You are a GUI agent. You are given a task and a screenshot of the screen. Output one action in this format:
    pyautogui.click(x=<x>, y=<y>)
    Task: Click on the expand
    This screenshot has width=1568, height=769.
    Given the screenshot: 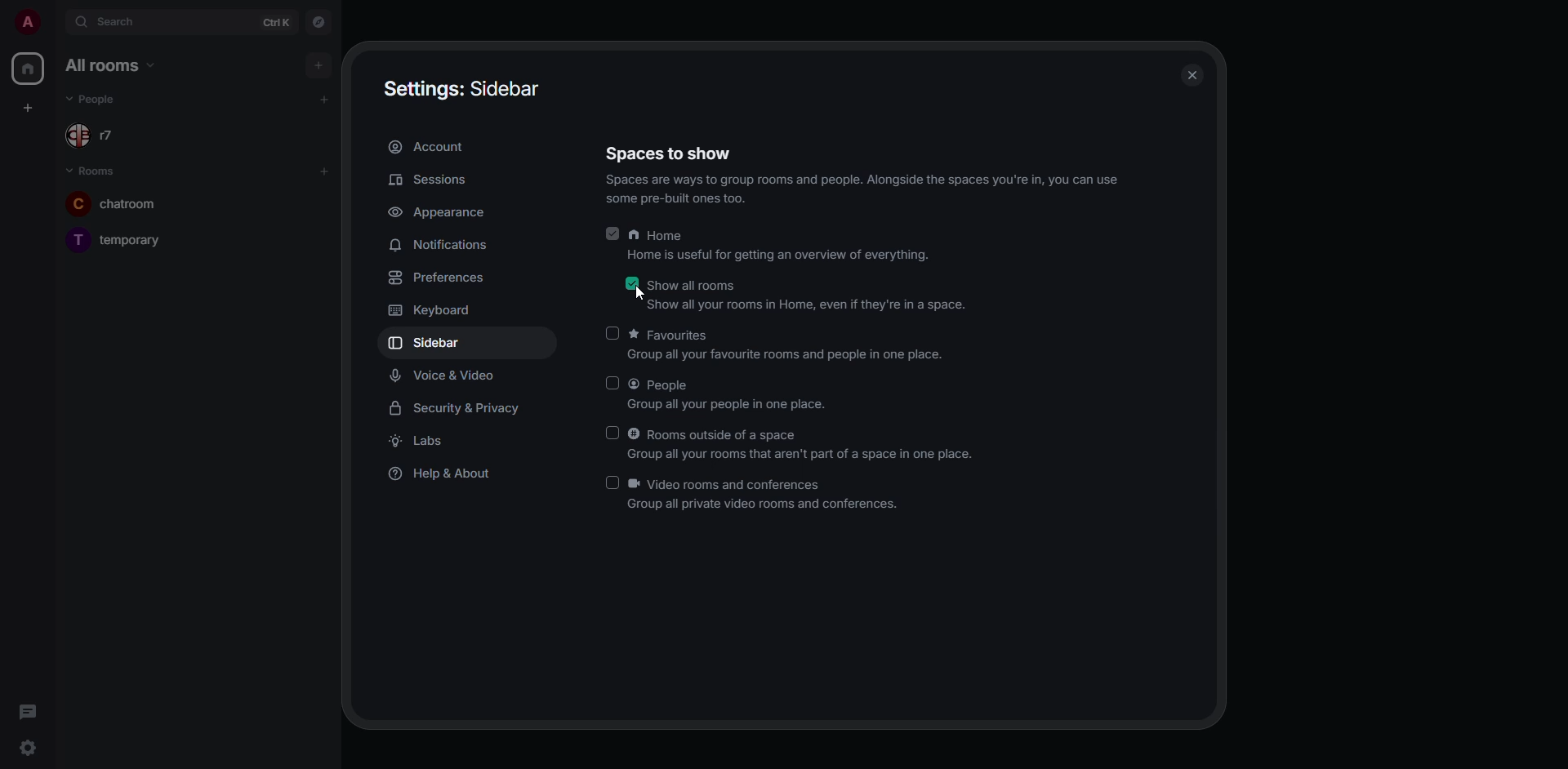 What is the action you would take?
    pyautogui.click(x=54, y=24)
    